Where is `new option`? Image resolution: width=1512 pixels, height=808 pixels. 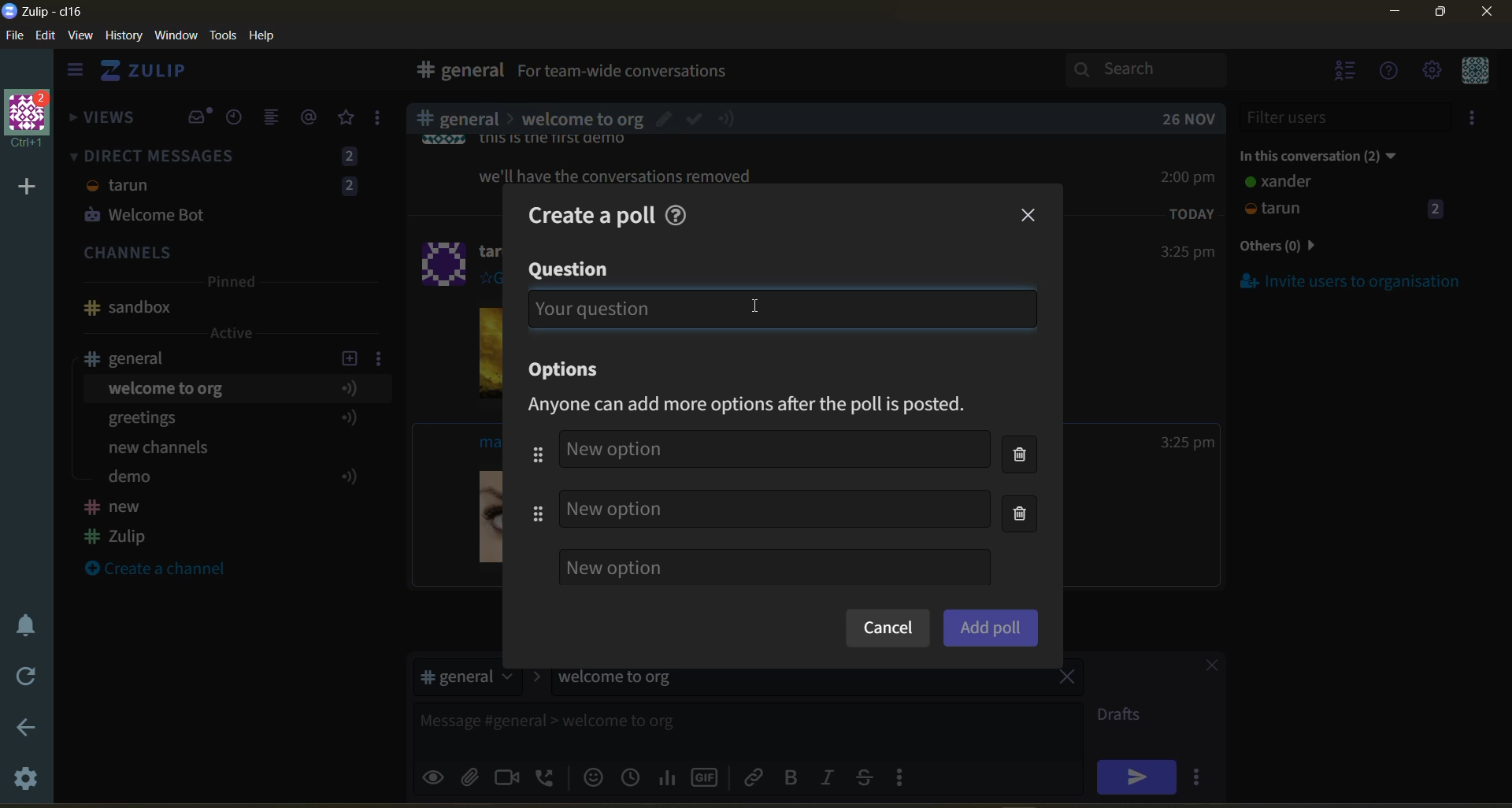
new option is located at coordinates (775, 508).